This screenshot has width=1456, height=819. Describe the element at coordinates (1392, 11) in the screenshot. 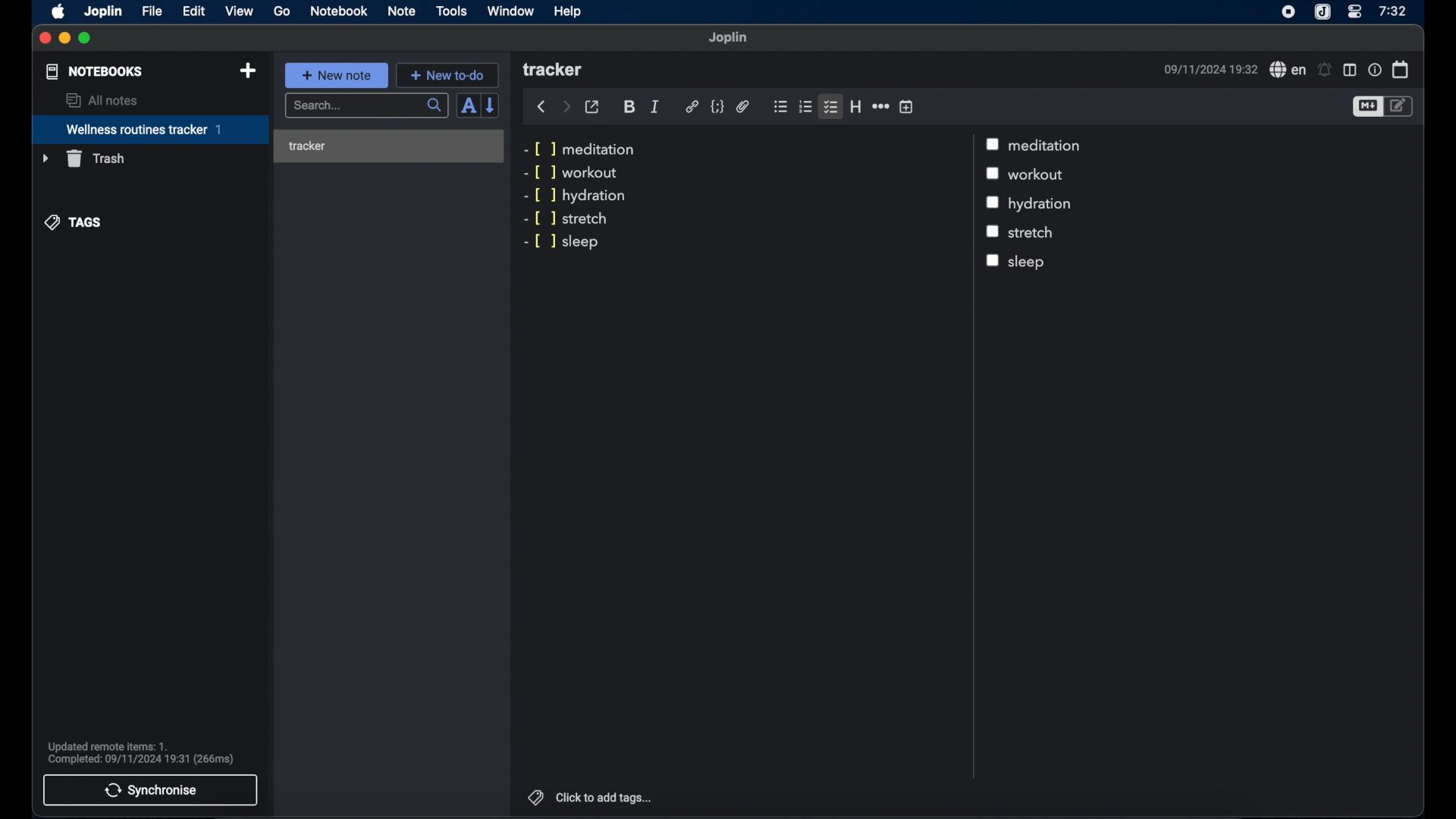

I see `7:32` at that location.